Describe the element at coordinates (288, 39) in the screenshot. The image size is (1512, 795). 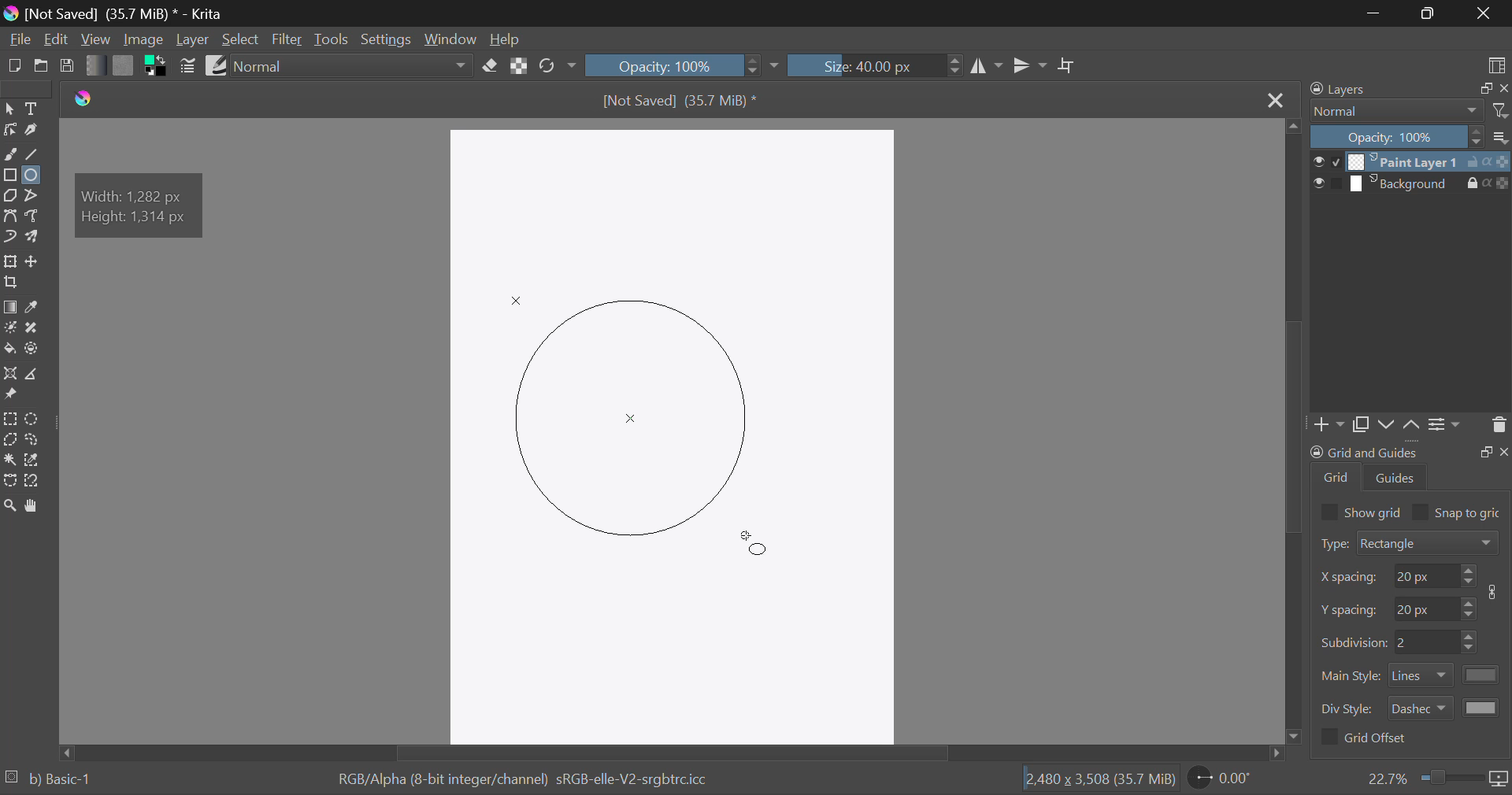
I see `Filter` at that location.